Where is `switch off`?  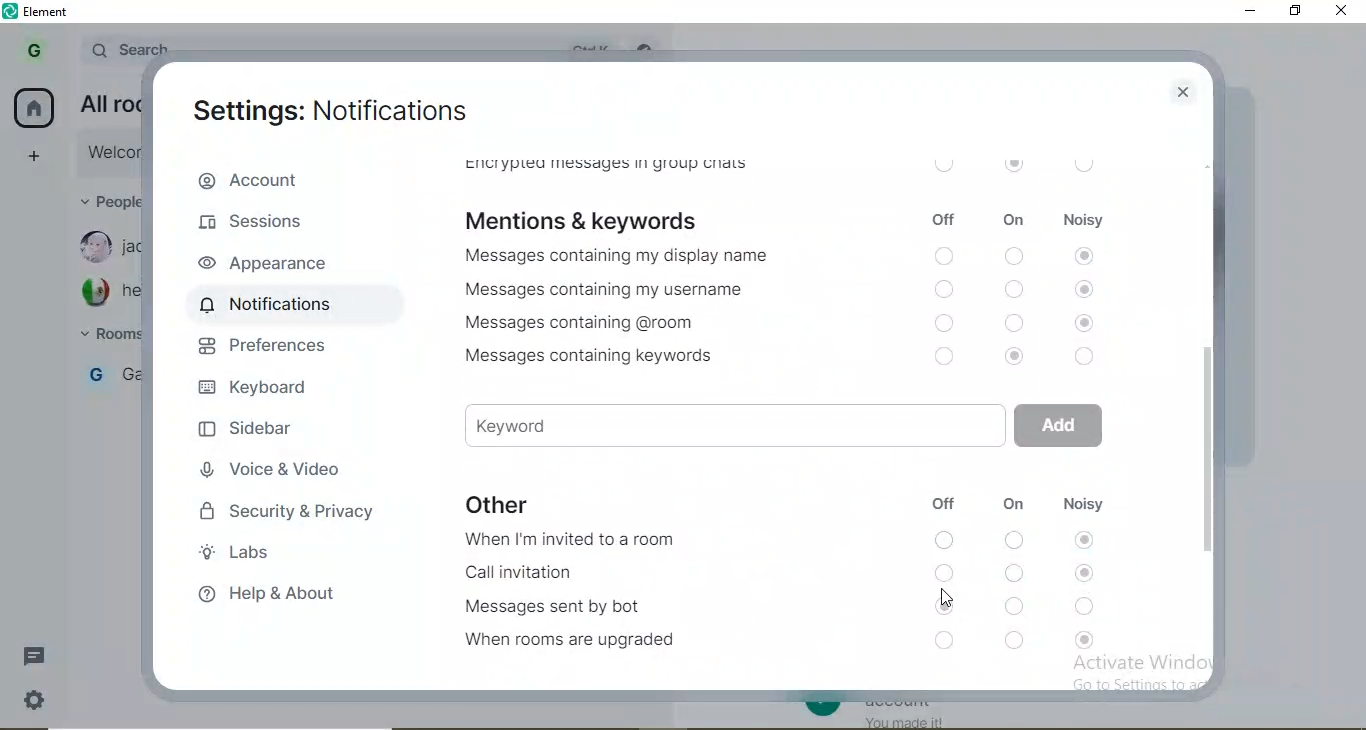
switch off is located at coordinates (946, 325).